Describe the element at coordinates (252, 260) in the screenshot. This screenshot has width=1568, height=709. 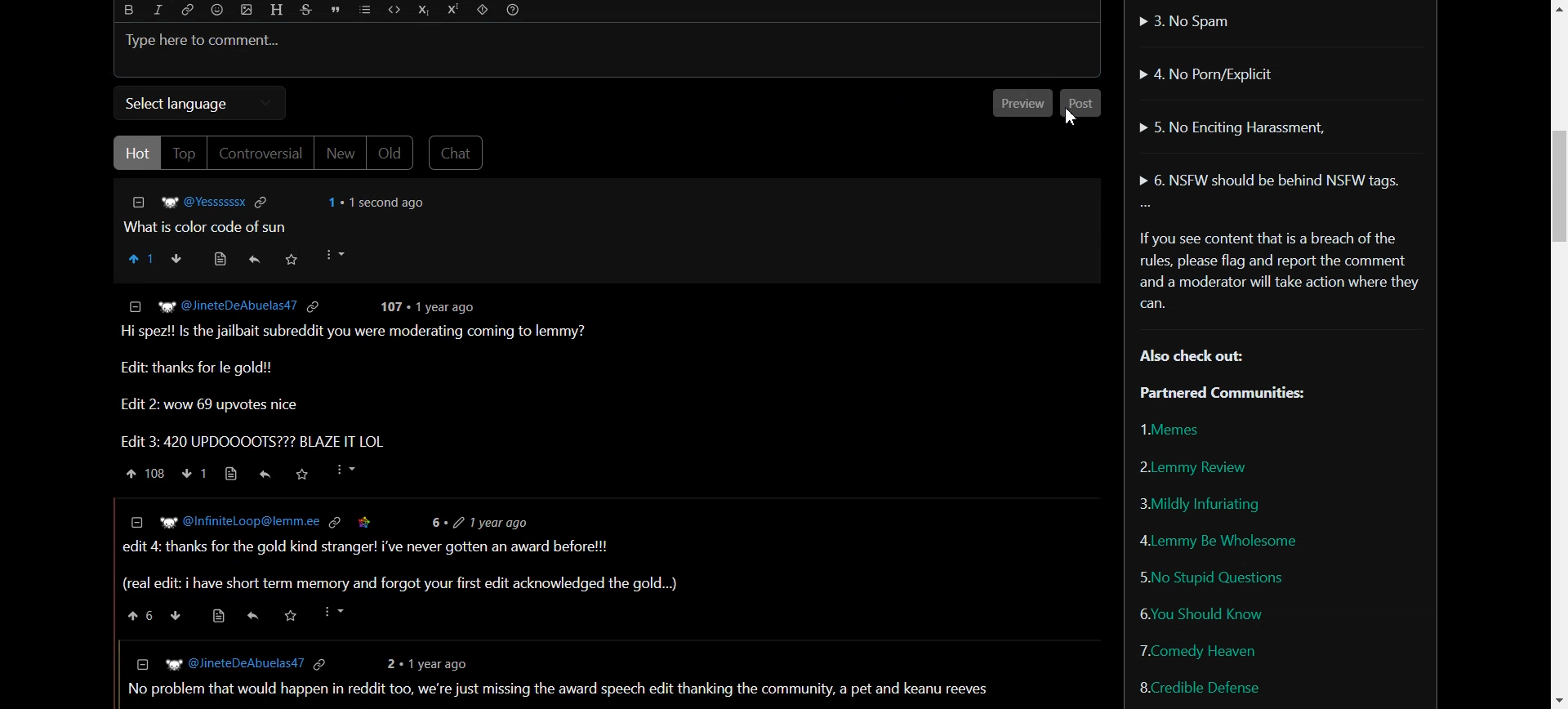
I see `Reply` at that location.